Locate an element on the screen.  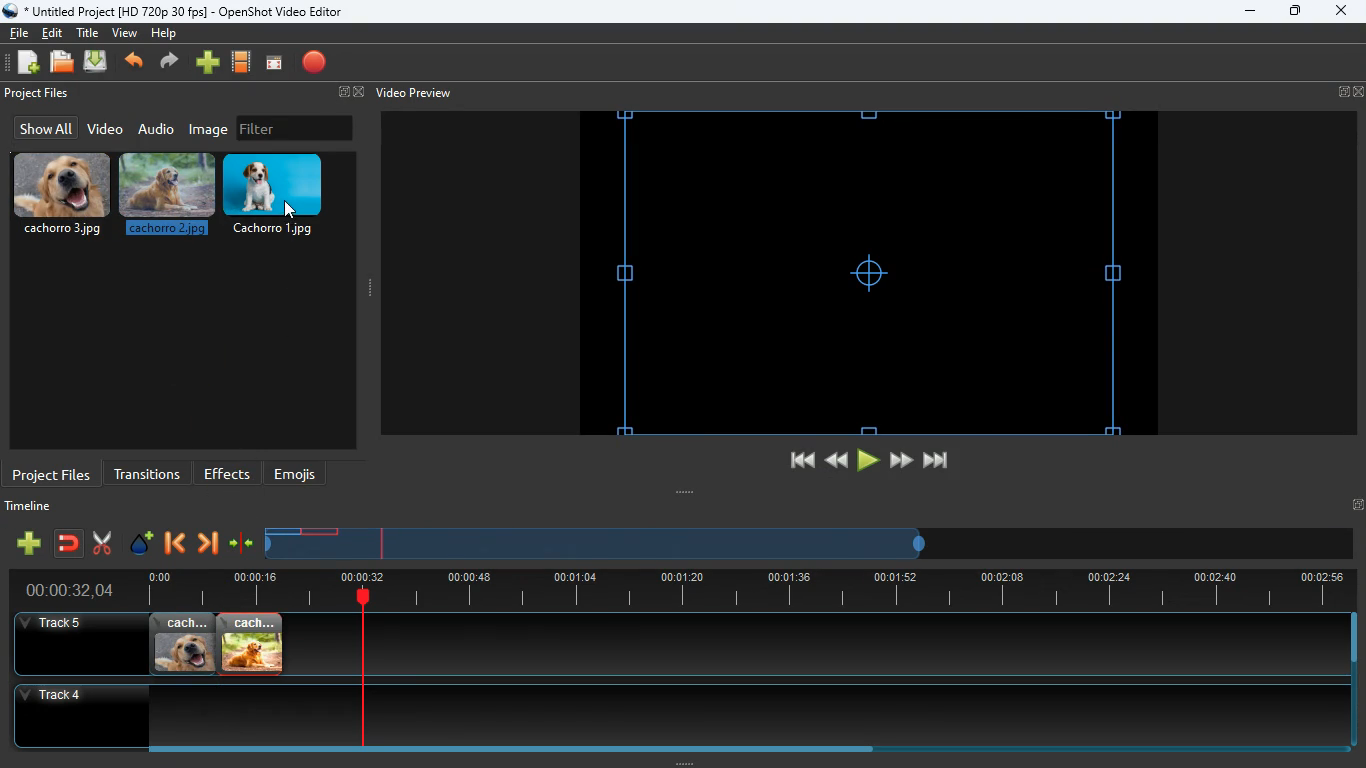
add is located at coordinates (208, 63).